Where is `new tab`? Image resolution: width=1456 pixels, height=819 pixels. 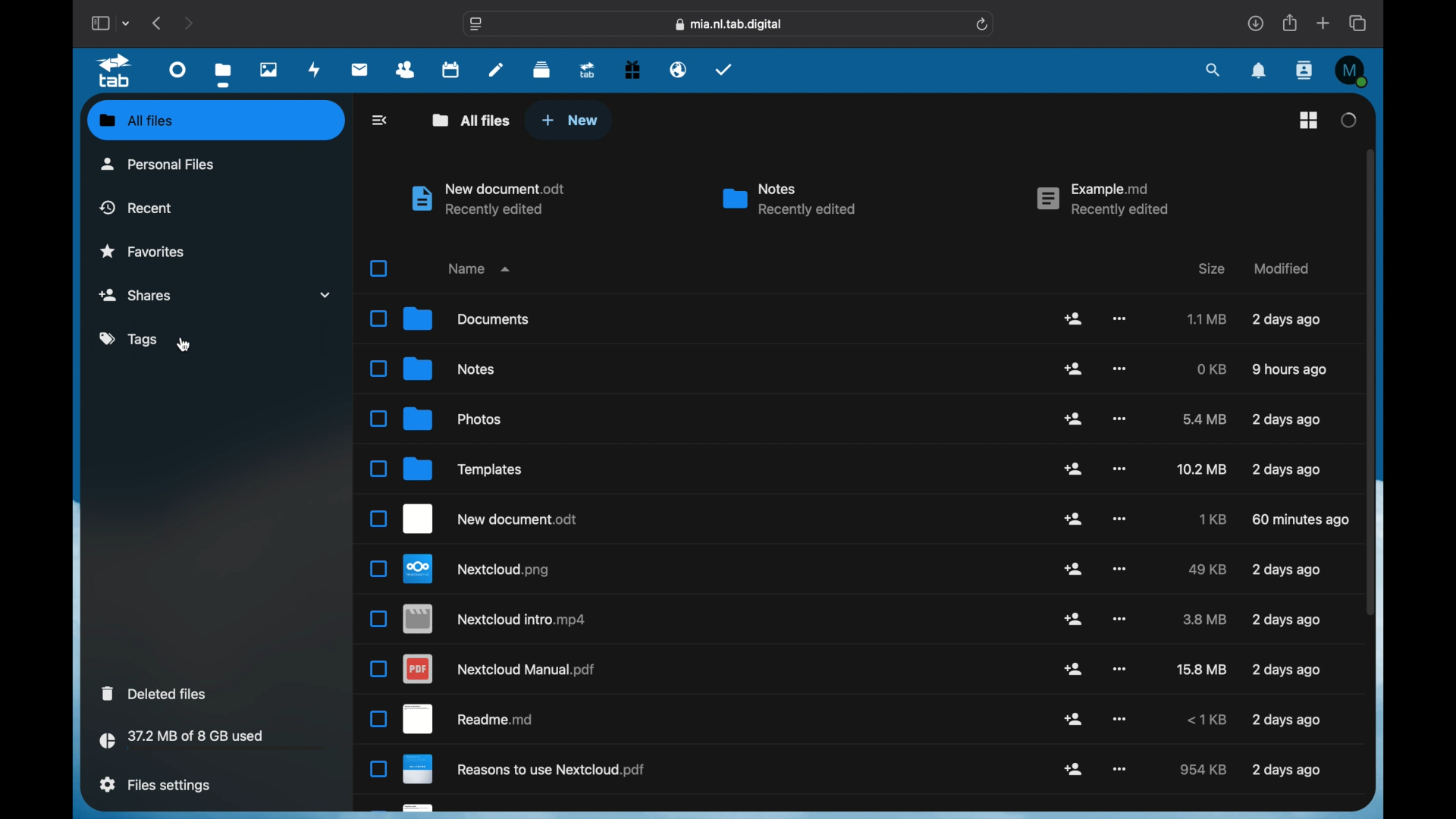
new tab is located at coordinates (1324, 24).